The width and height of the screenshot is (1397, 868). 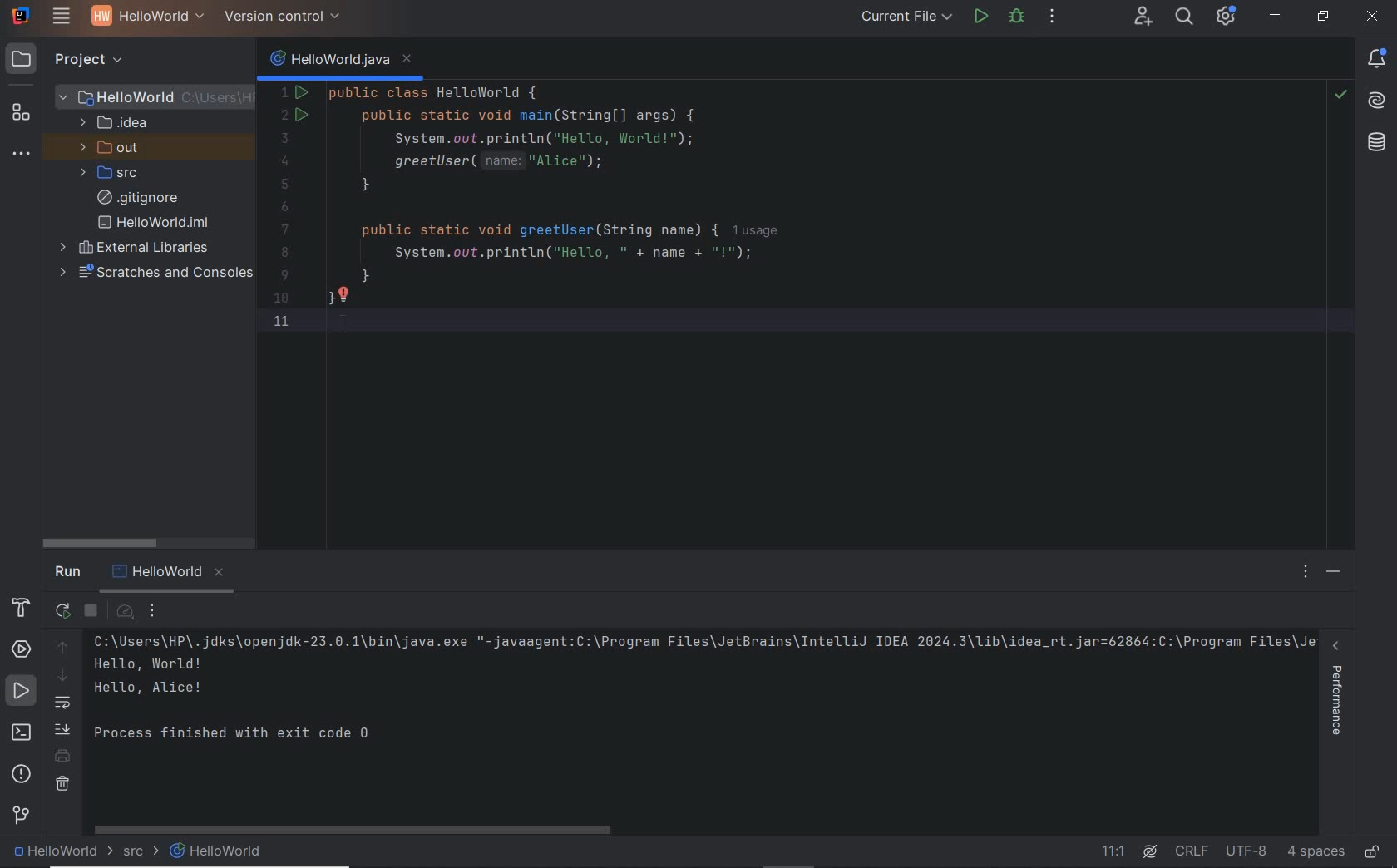 What do you see at coordinates (25, 609) in the screenshot?
I see `build` at bounding box center [25, 609].